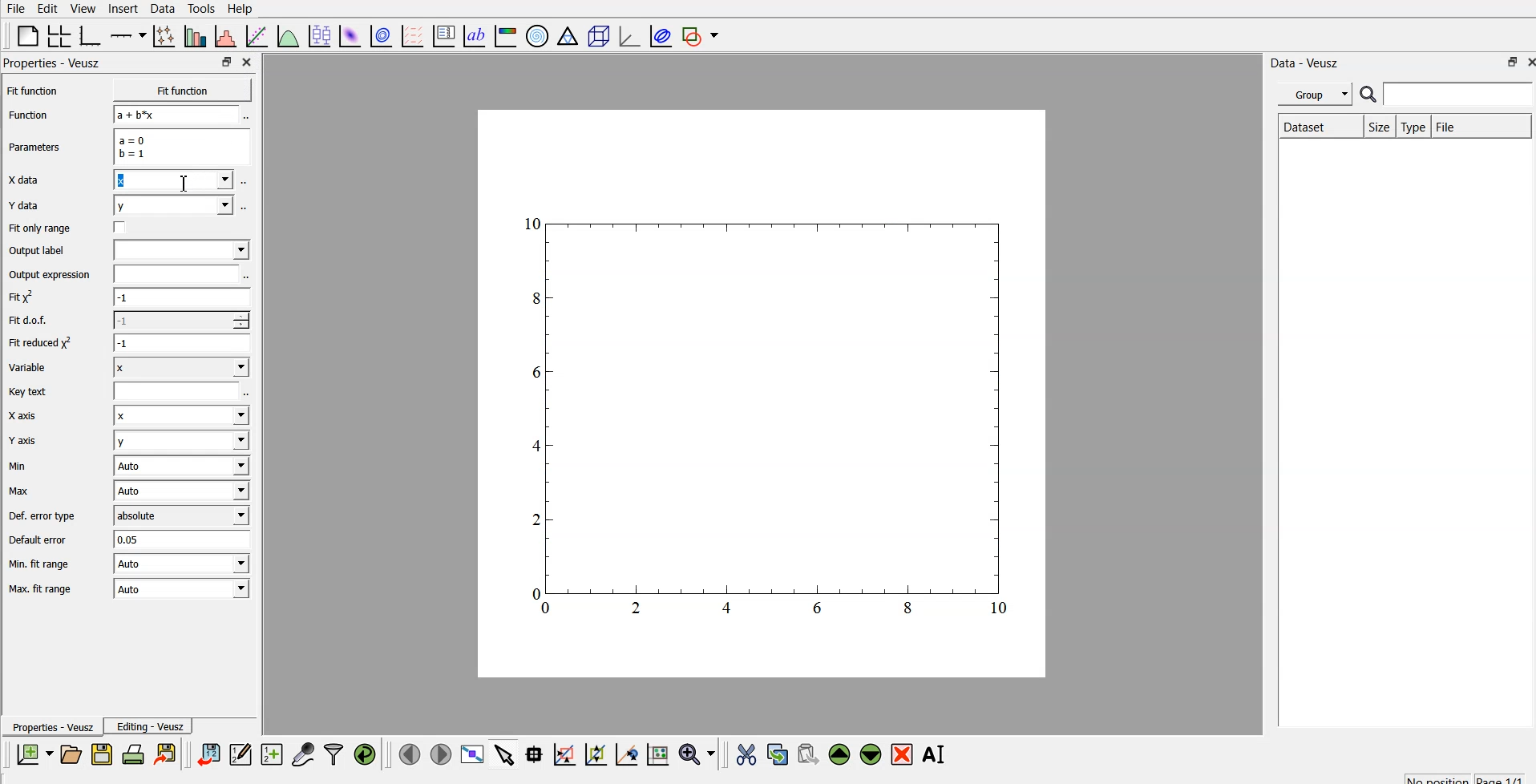 The width and height of the screenshot is (1536, 784). Describe the element at coordinates (53, 726) in the screenshot. I see `Properties - Veusz` at that location.